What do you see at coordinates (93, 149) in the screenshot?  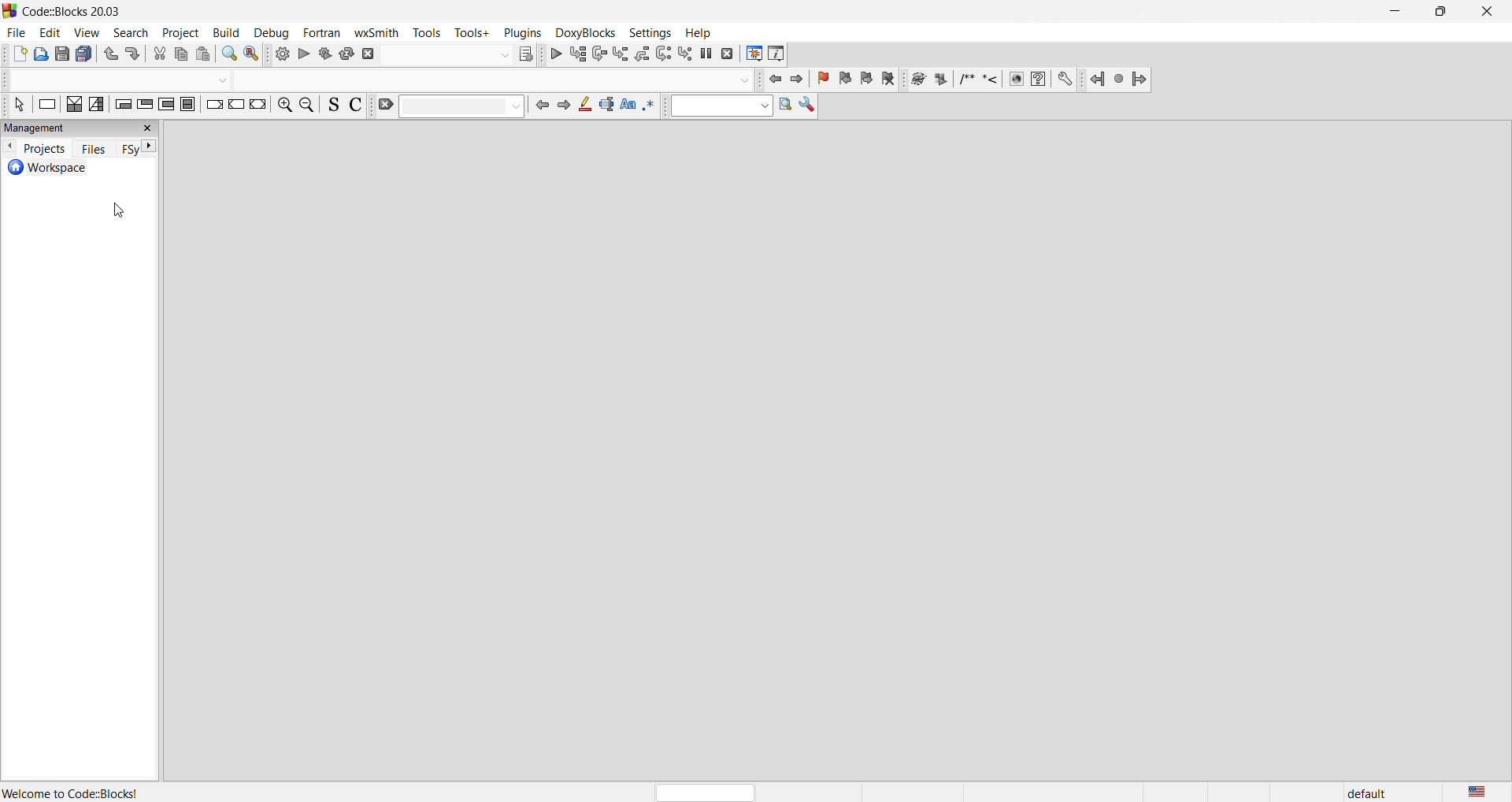 I see `files` at bounding box center [93, 149].